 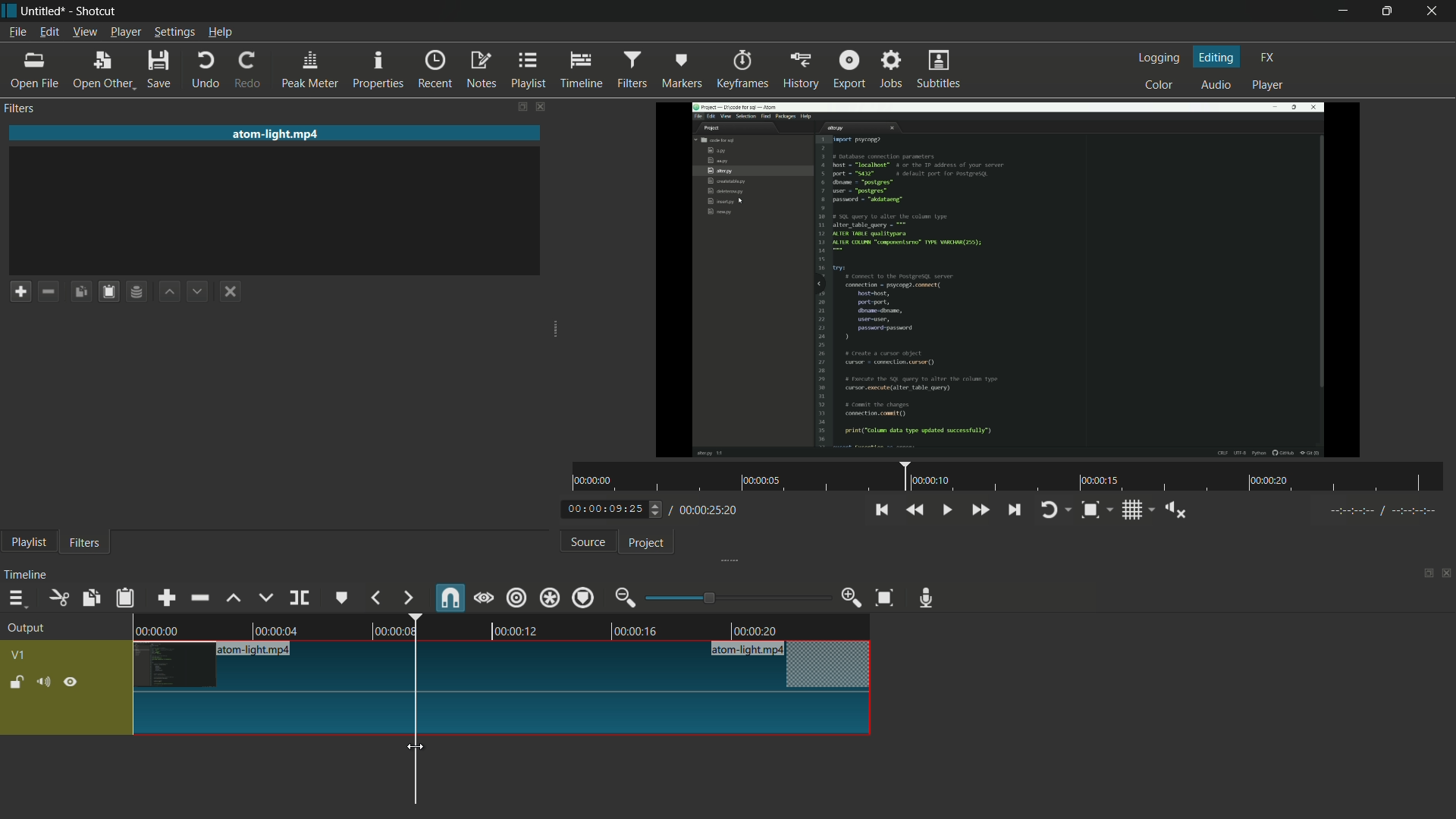 What do you see at coordinates (627, 598) in the screenshot?
I see `zoom out` at bounding box center [627, 598].